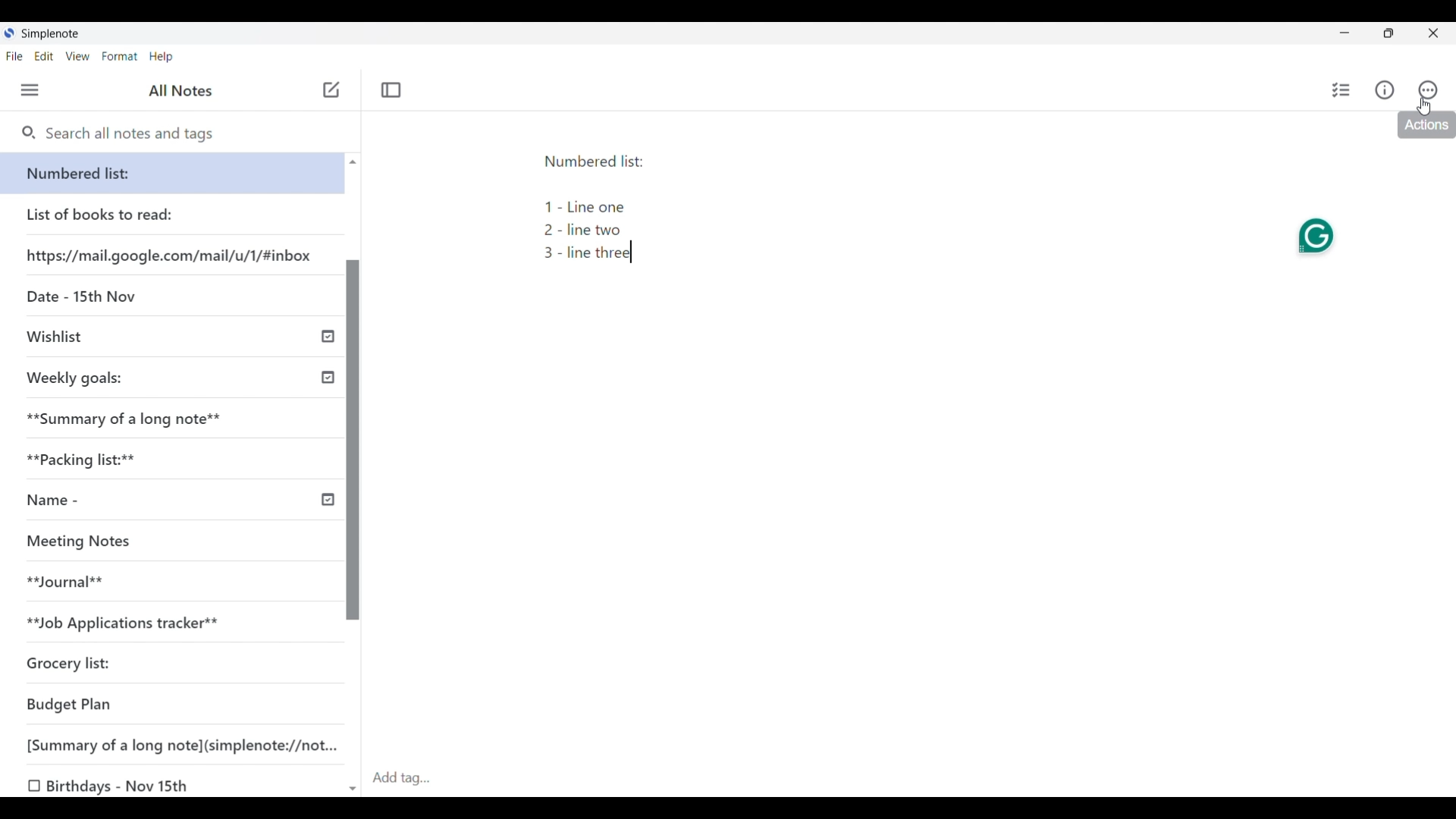 This screenshot has width=1456, height=819. Describe the element at coordinates (1341, 90) in the screenshot. I see `Insert checklist` at that location.